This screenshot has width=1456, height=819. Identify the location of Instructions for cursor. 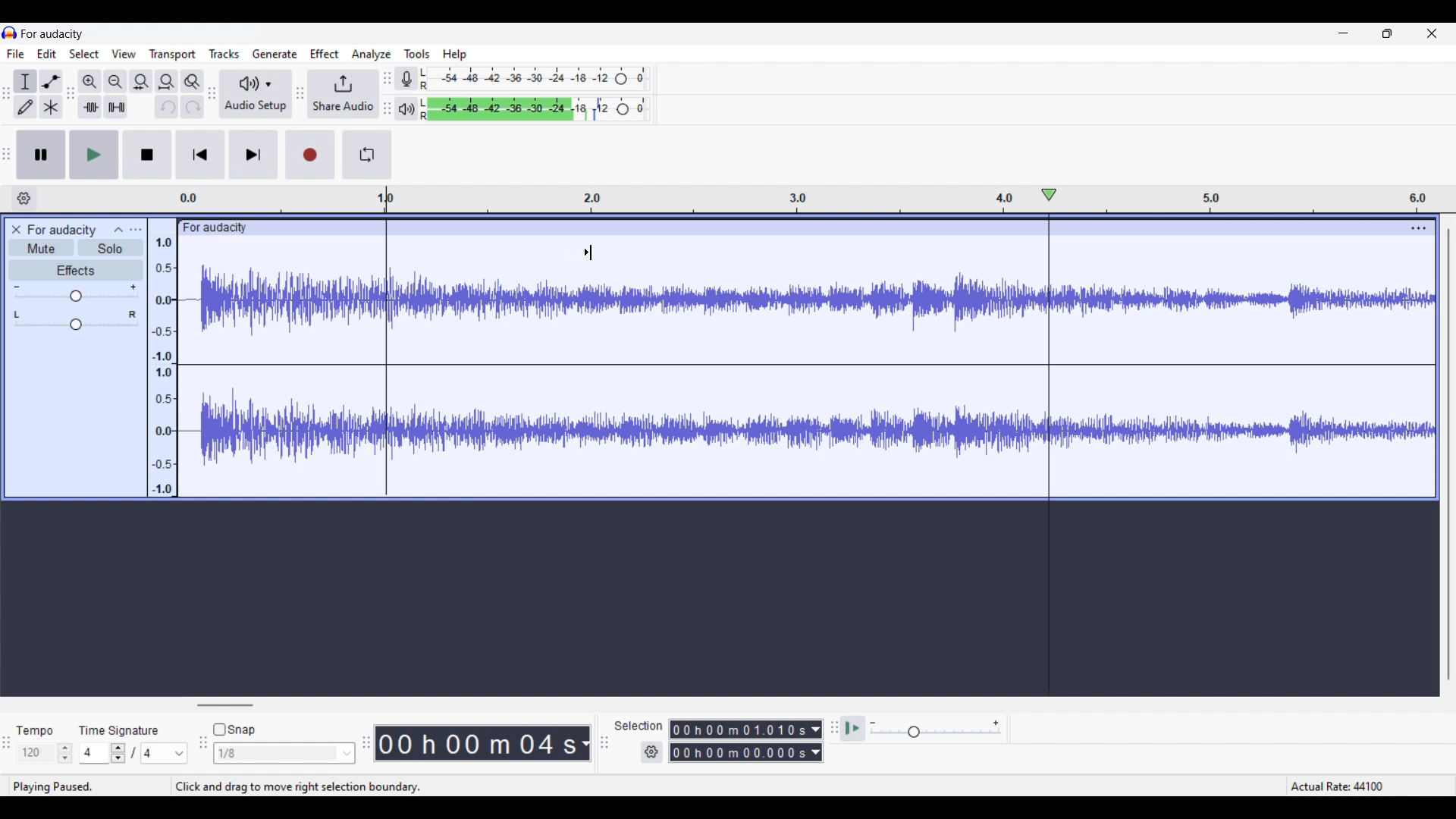
(298, 786).